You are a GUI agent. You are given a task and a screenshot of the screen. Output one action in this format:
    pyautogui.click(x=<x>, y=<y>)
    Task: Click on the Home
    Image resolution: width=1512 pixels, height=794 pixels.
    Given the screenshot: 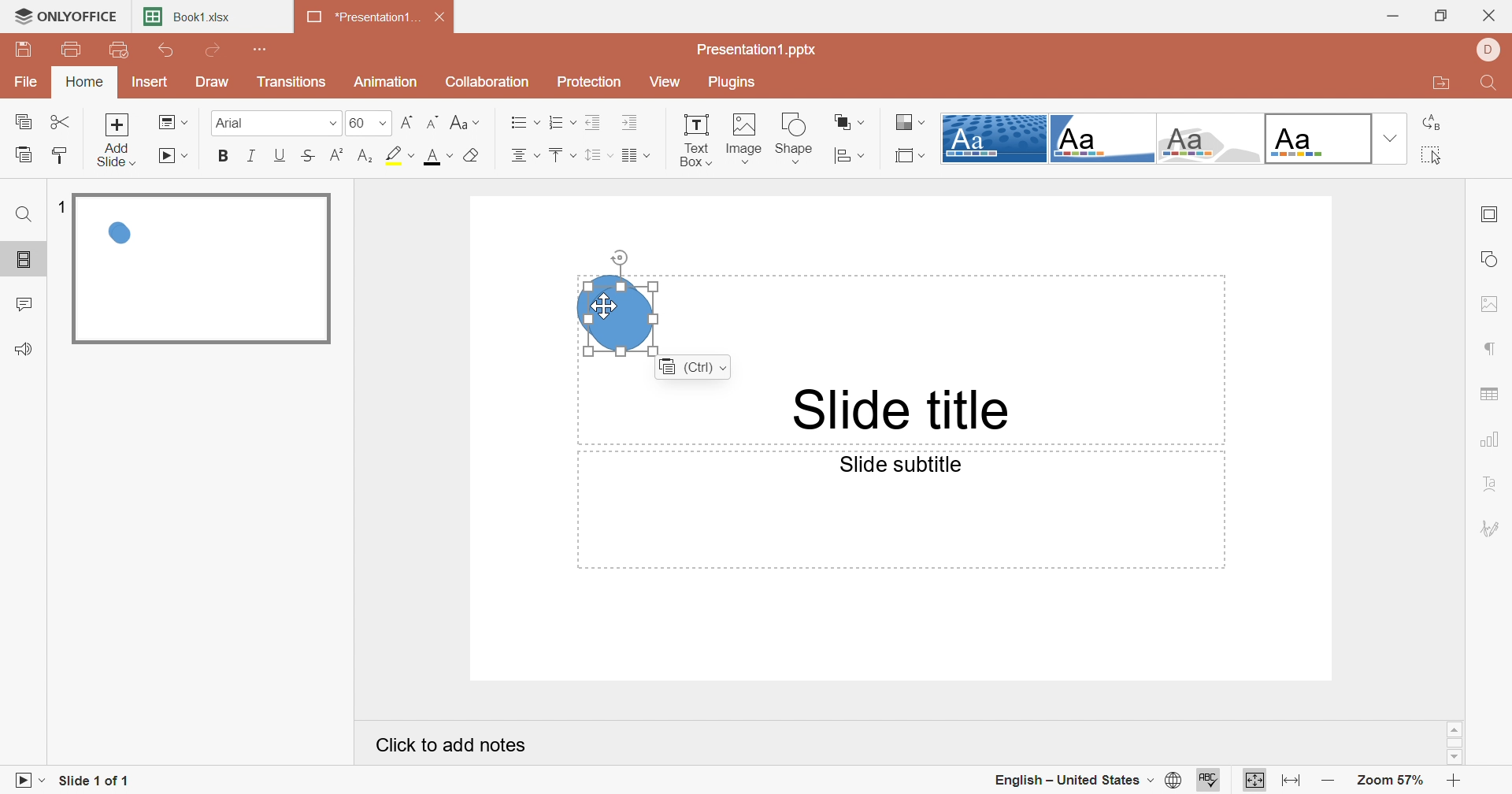 What is the action you would take?
    pyautogui.click(x=84, y=81)
    